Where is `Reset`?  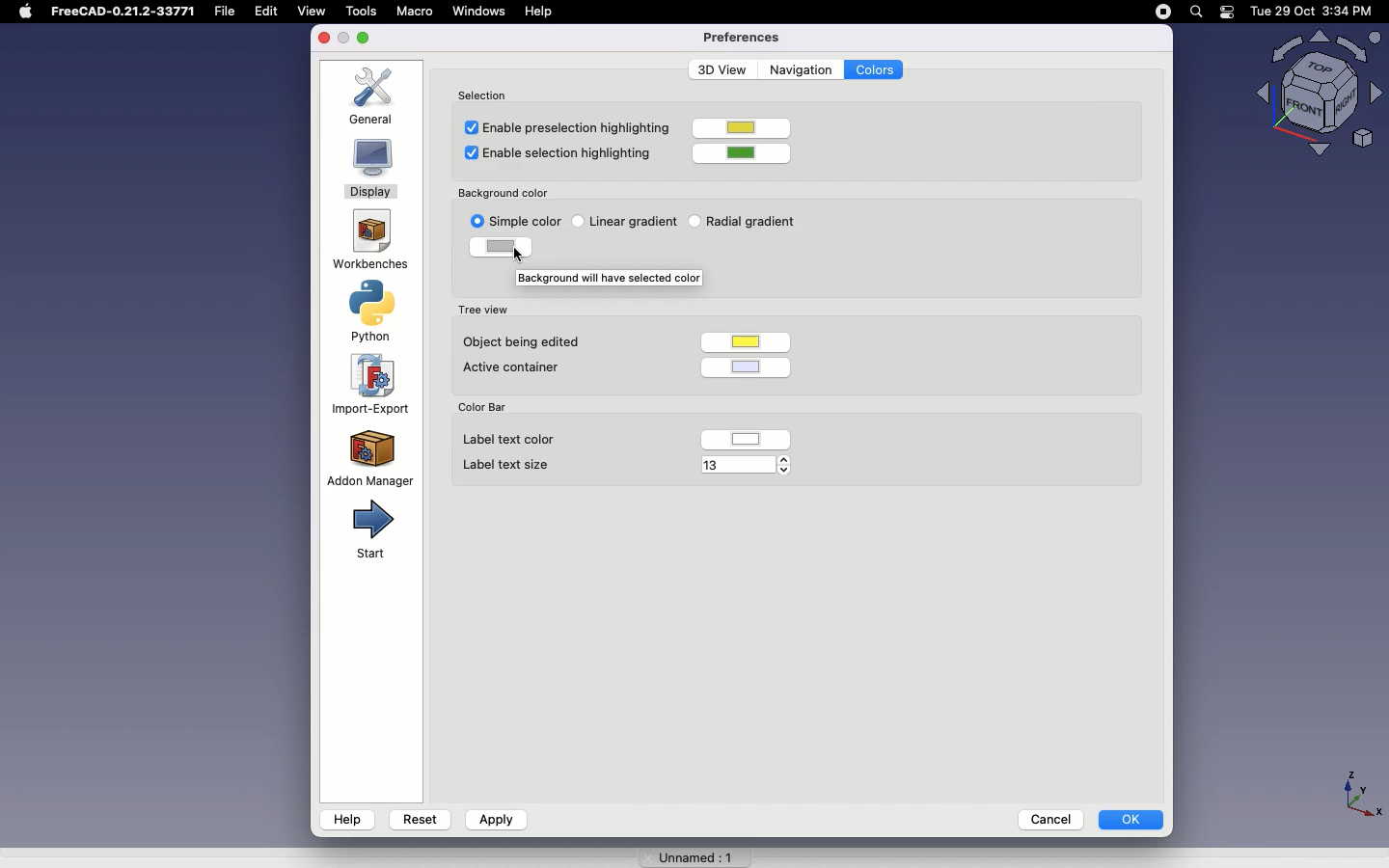
Reset is located at coordinates (421, 817).